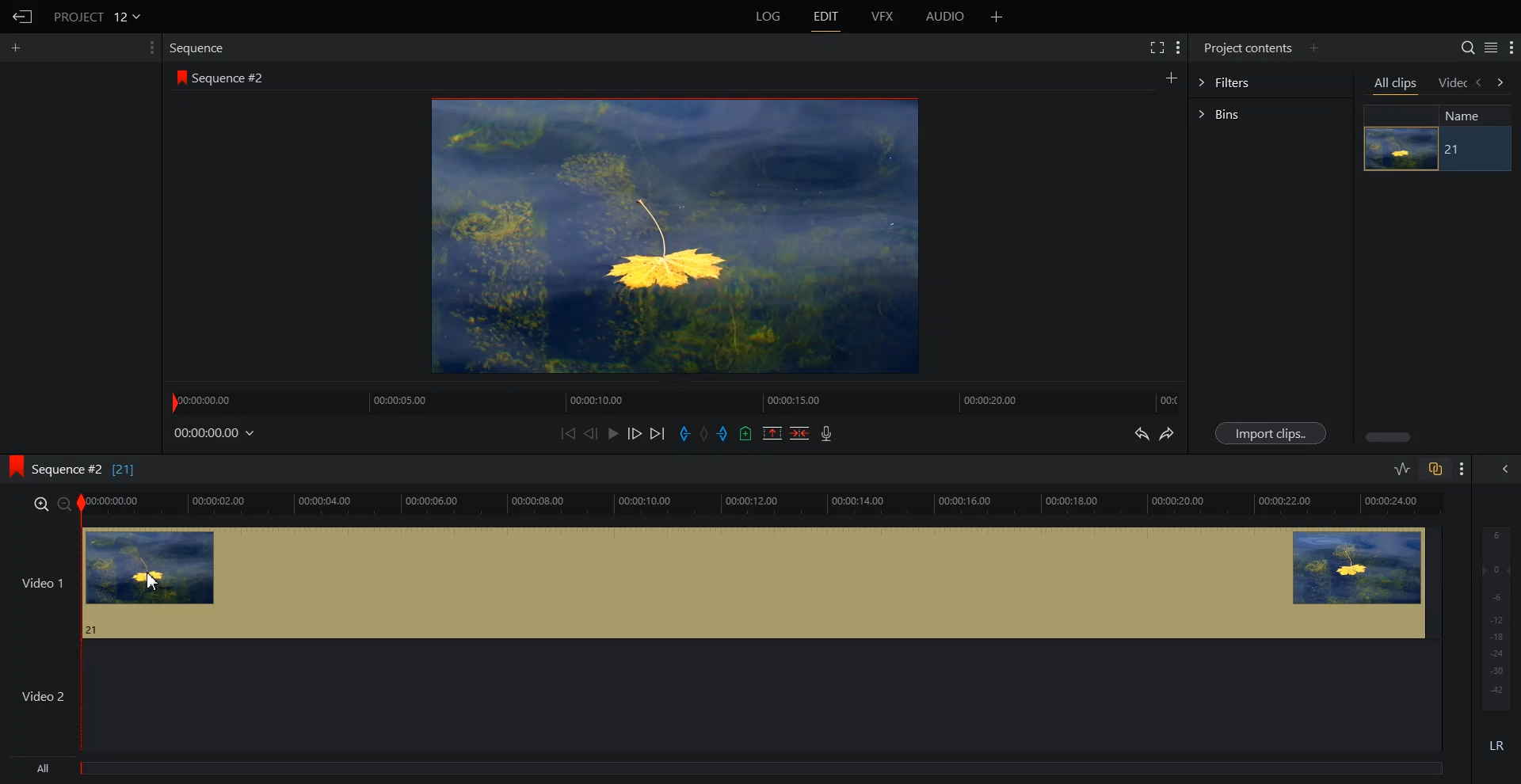 The image size is (1521, 784). I want to click on Show Setting Menu, so click(1460, 470).